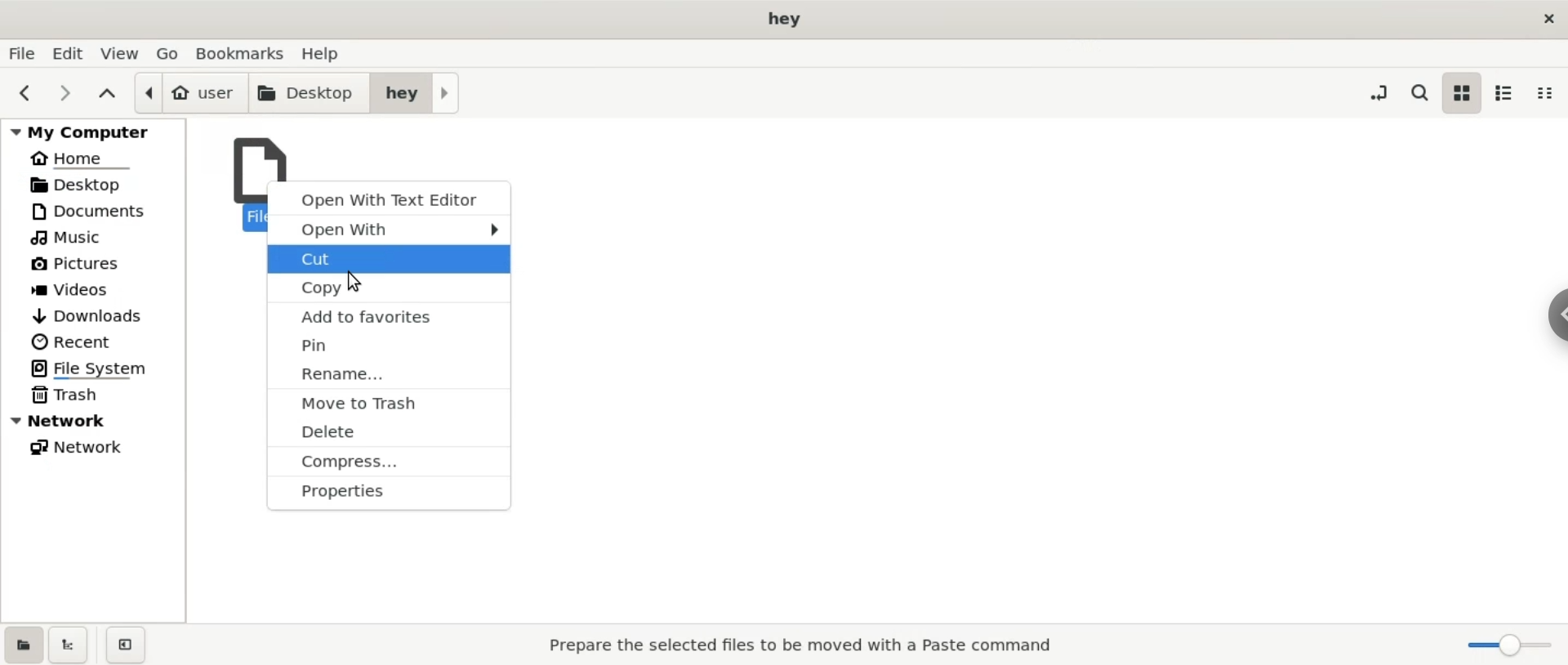  What do you see at coordinates (338, 54) in the screenshot?
I see `help` at bounding box center [338, 54].